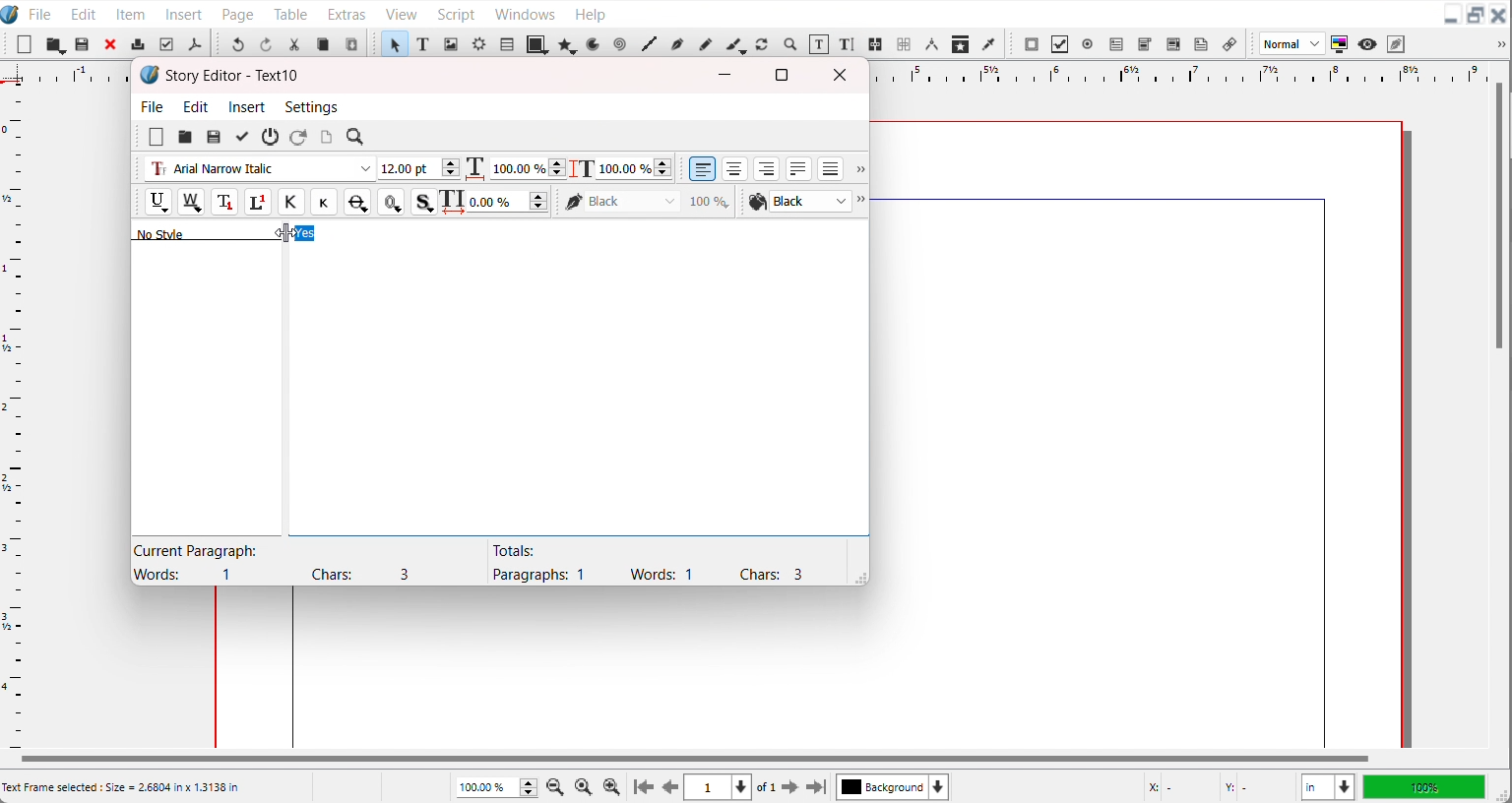 The height and width of the screenshot is (803, 1512). I want to click on Superscript, so click(259, 203).